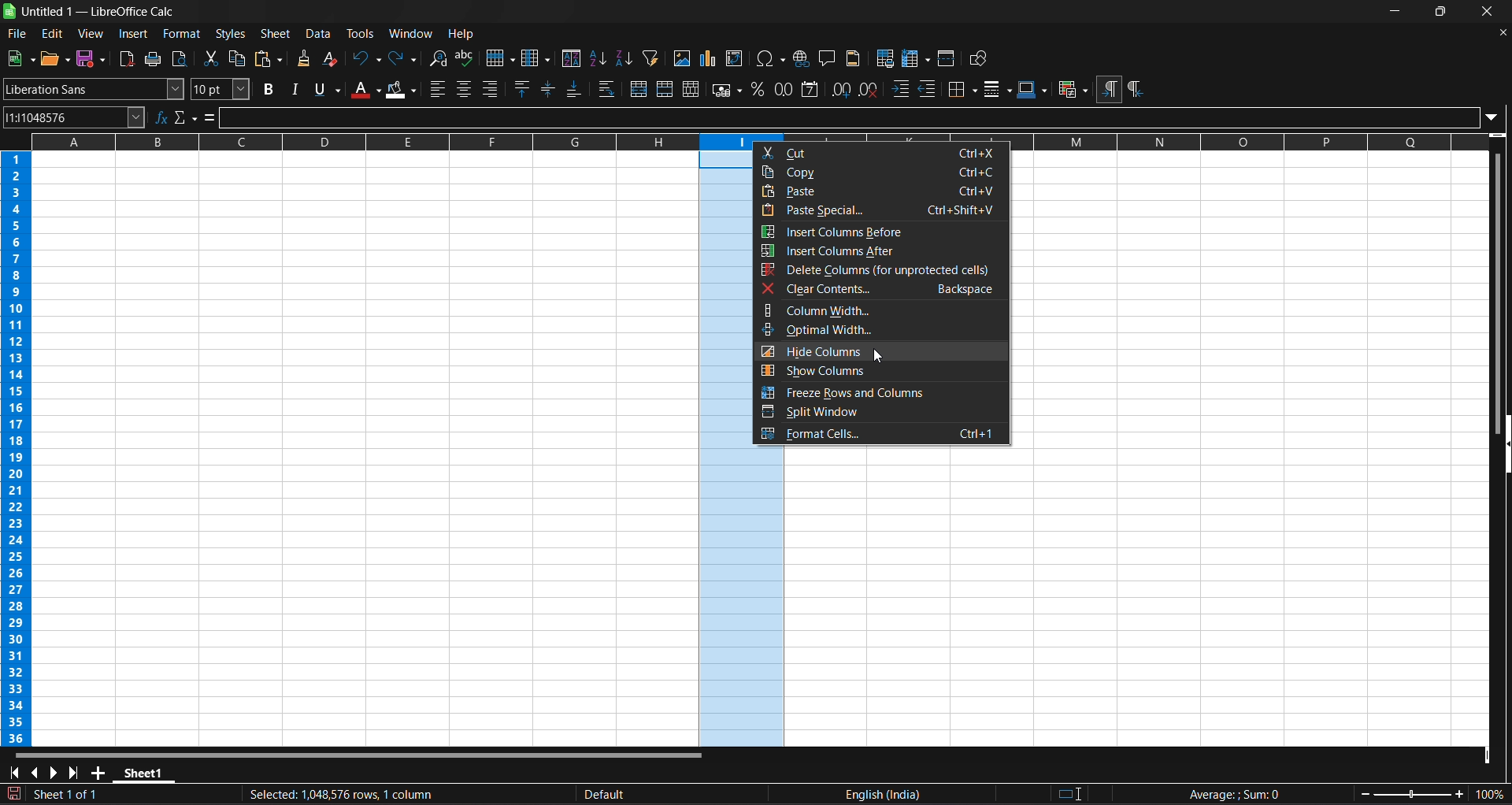 This screenshot has width=1512, height=805. Describe the element at coordinates (1136, 90) in the screenshot. I see `right to left` at that location.